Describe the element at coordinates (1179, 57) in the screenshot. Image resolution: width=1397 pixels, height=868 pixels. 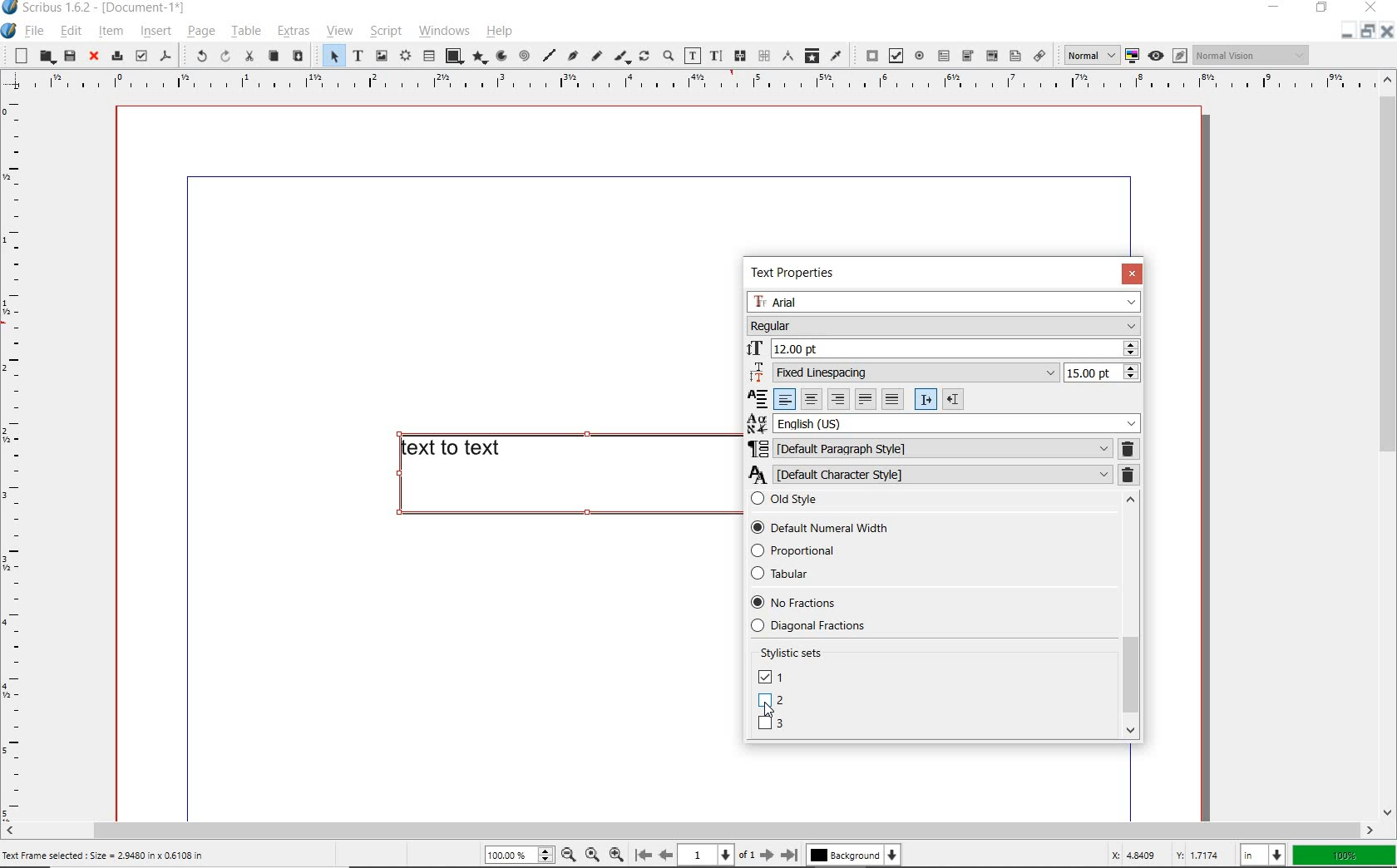
I see `Edit in preview mode` at that location.